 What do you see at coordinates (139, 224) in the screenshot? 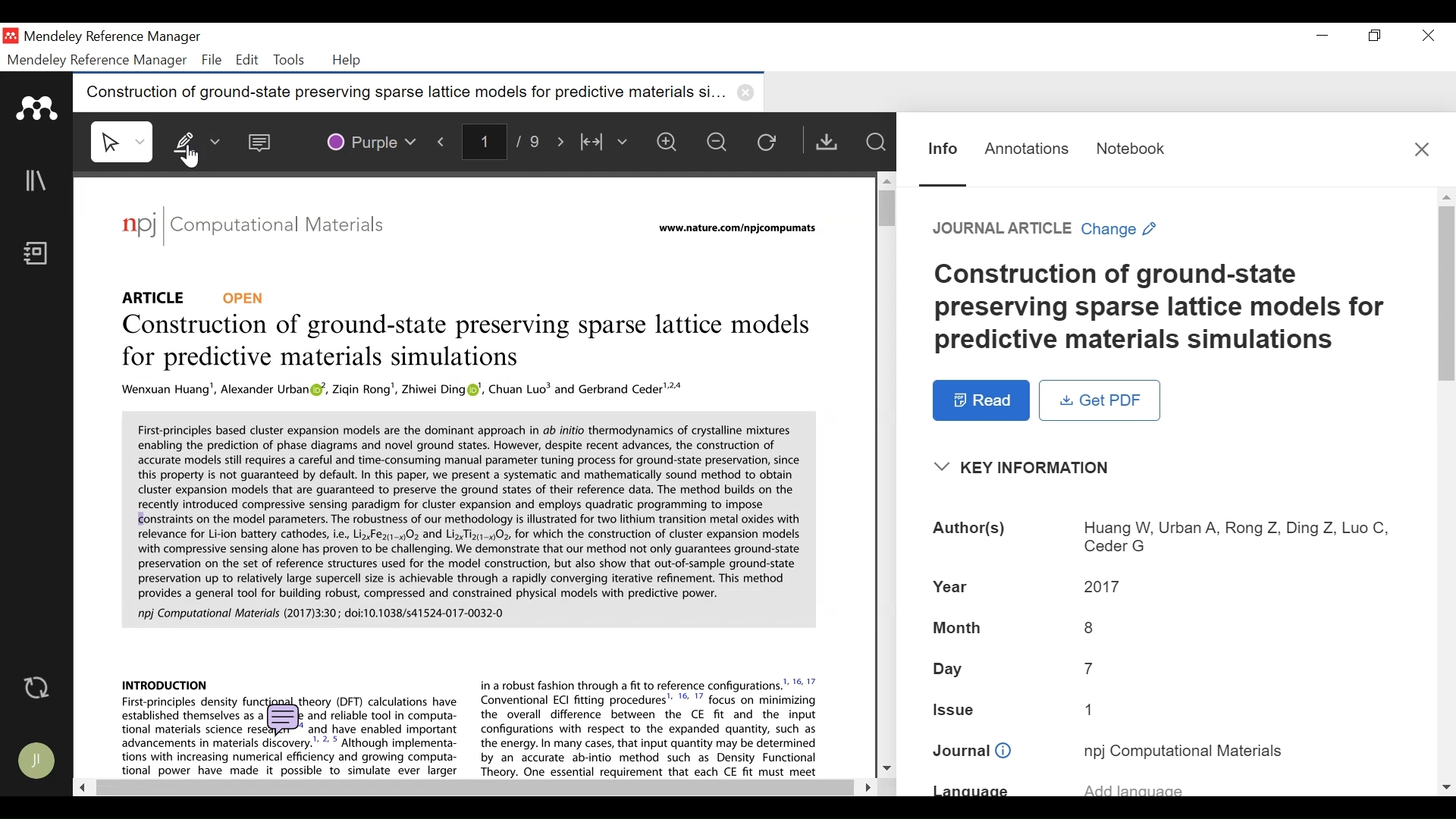
I see `logo` at bounding box center [139, 224].